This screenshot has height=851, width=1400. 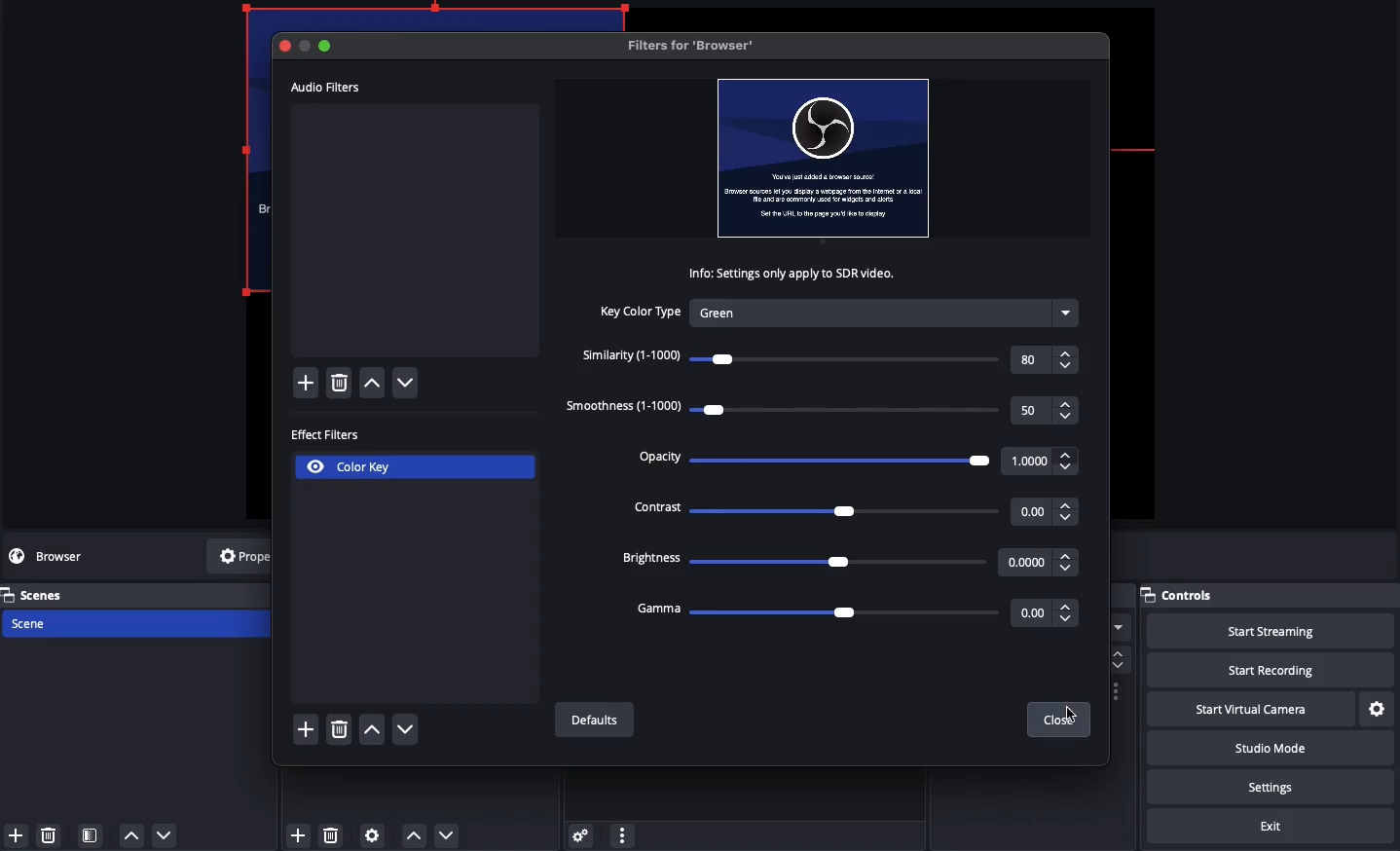 I want to click on Source preferences, so click(x=374, y=834).